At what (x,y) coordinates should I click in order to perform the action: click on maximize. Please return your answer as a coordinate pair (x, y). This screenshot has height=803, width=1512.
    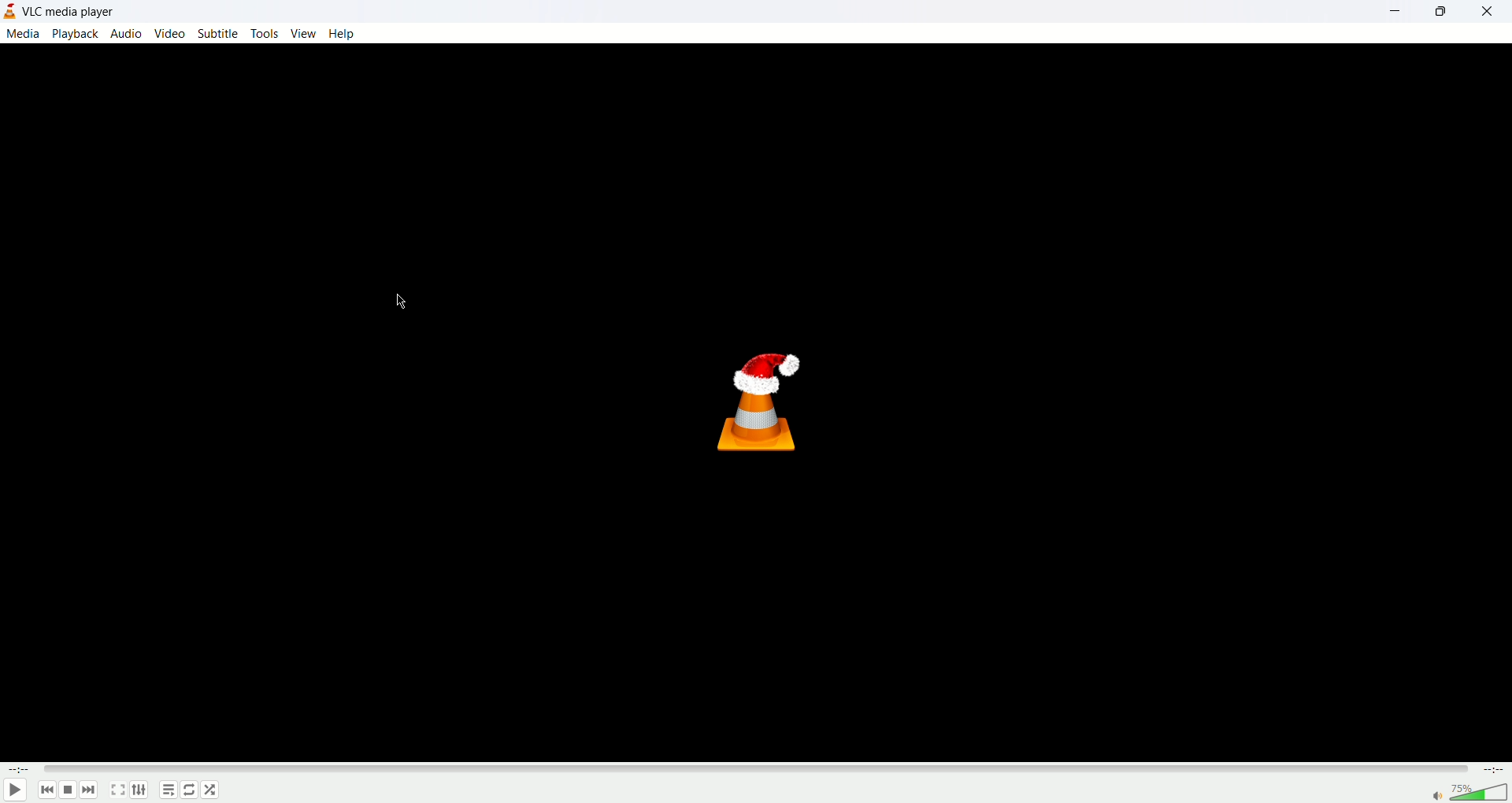
    Looking at the image, I should click on (1447, 11).